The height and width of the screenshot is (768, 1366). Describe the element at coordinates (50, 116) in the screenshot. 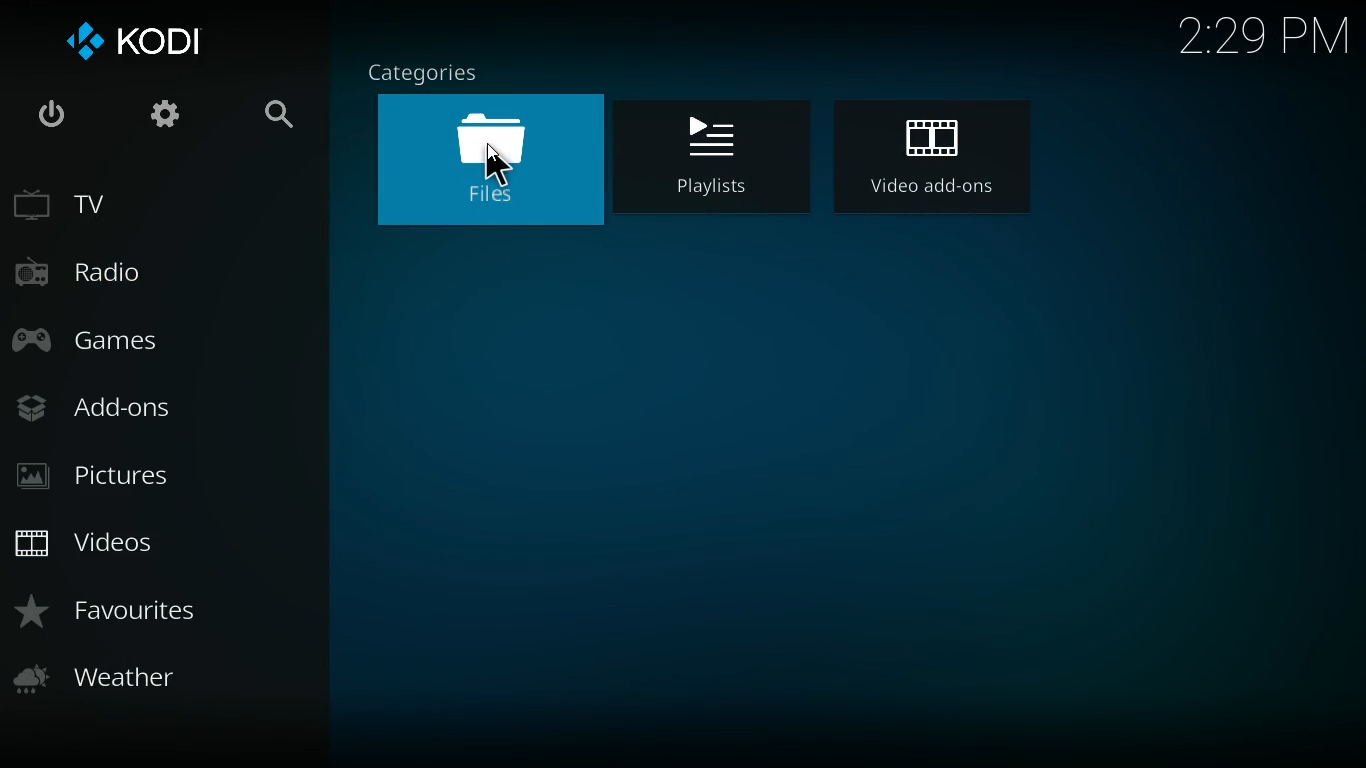

I see `power` at that location.